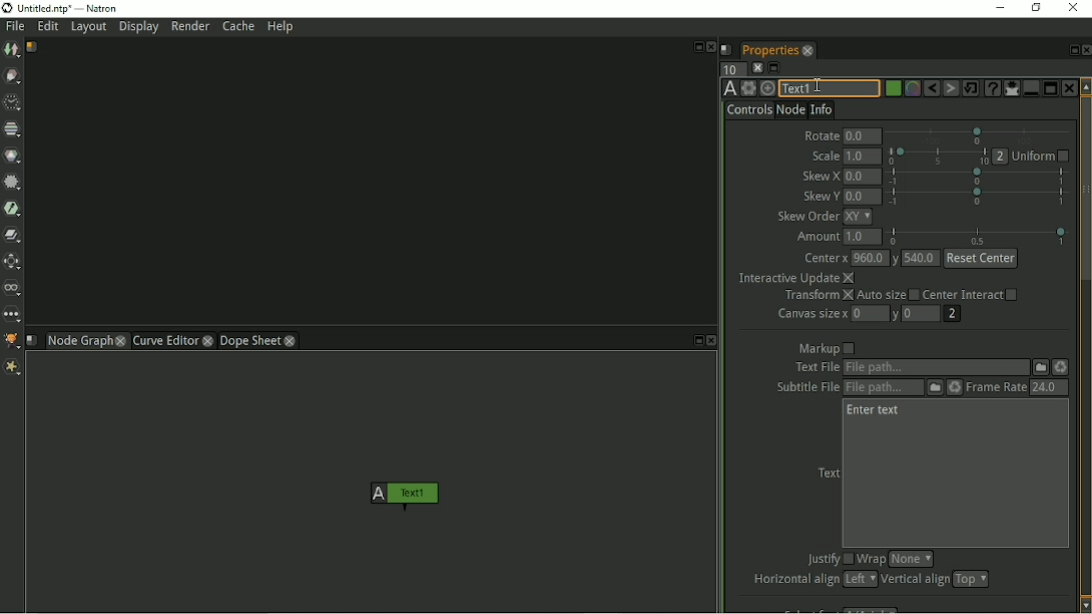 The width and height of the screenshot is (1092, 614). Describe the element at coordinates (938, 156) in the screenshot. I see `selection bar` at that location.